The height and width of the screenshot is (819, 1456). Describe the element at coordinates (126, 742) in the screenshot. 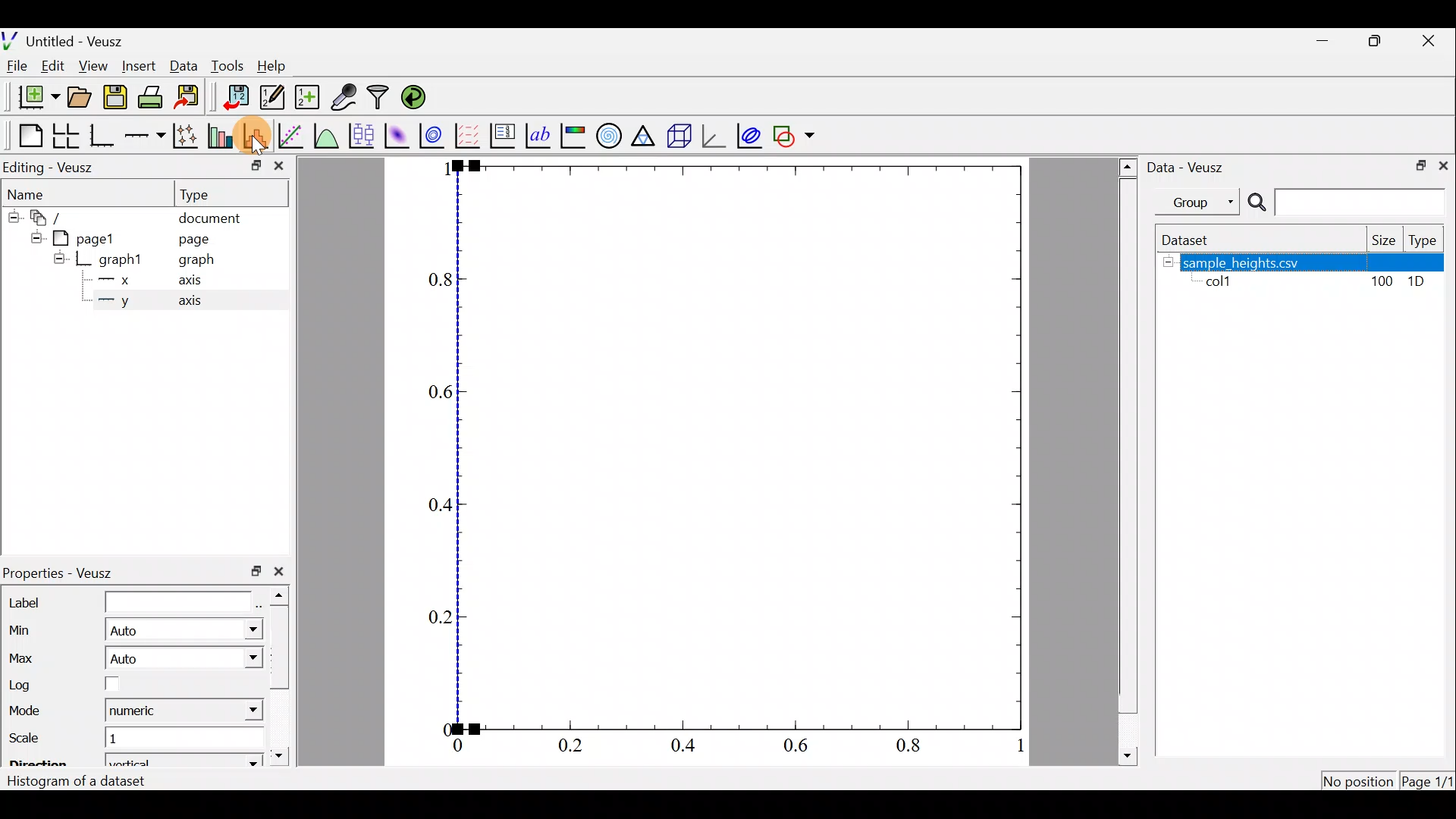

I see `1` at that location.